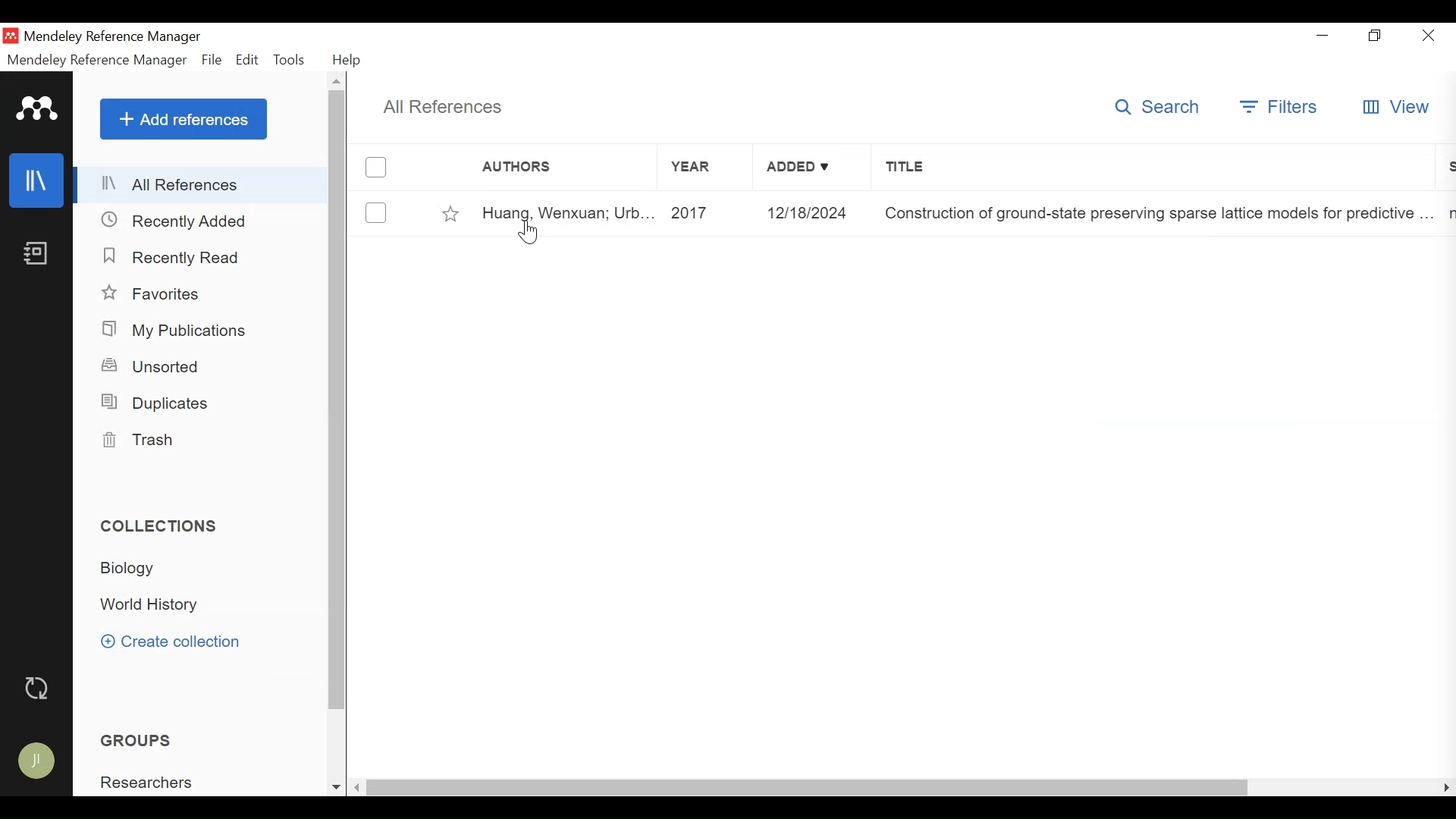 Image resolution: width=1456 pixels, height=819 pixels. What do you see at coordinates (441, 107) in the screenshot?
I see `All References` at bounding box center [441, 107].